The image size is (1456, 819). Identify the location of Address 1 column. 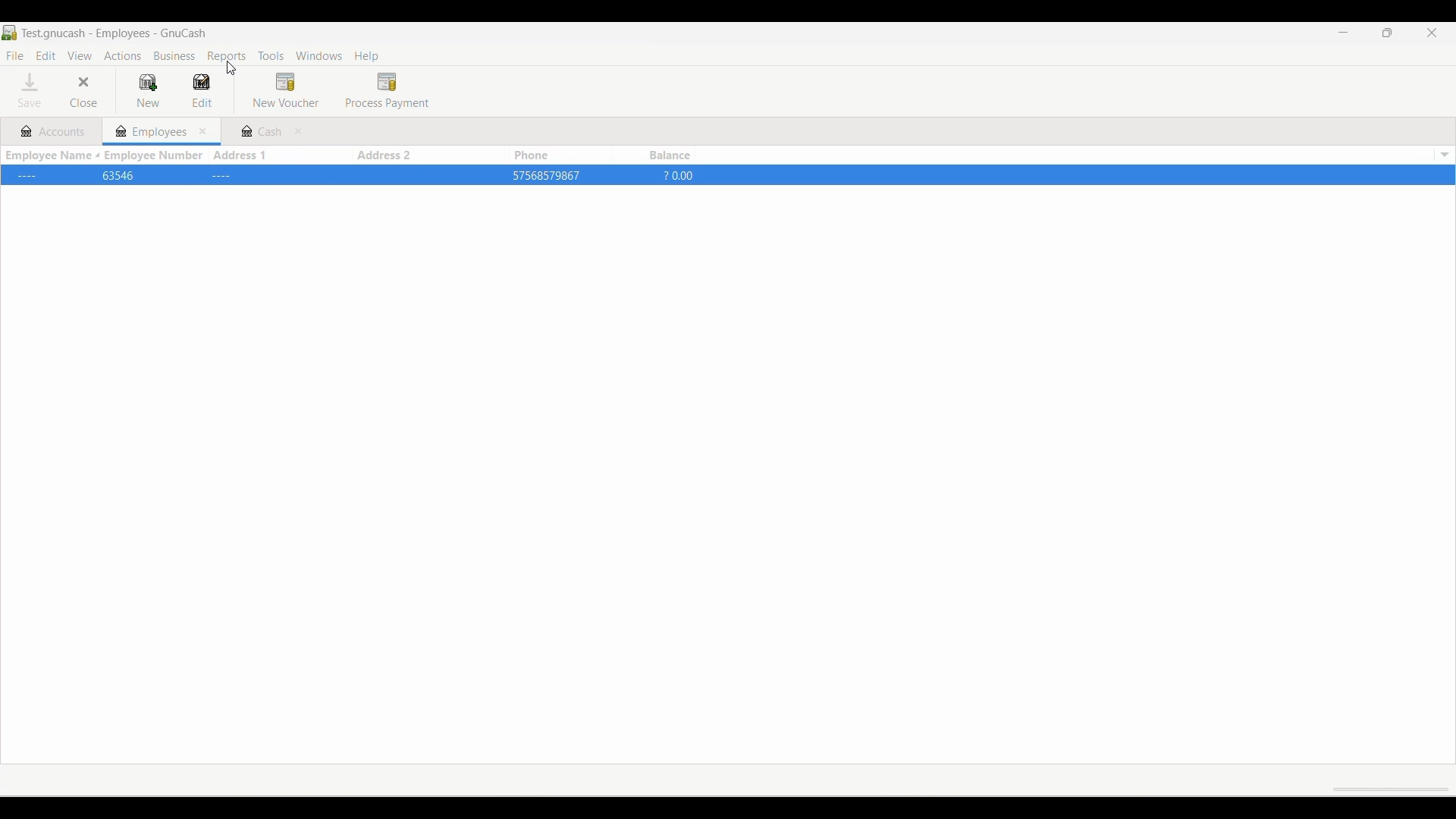
(281, 155).